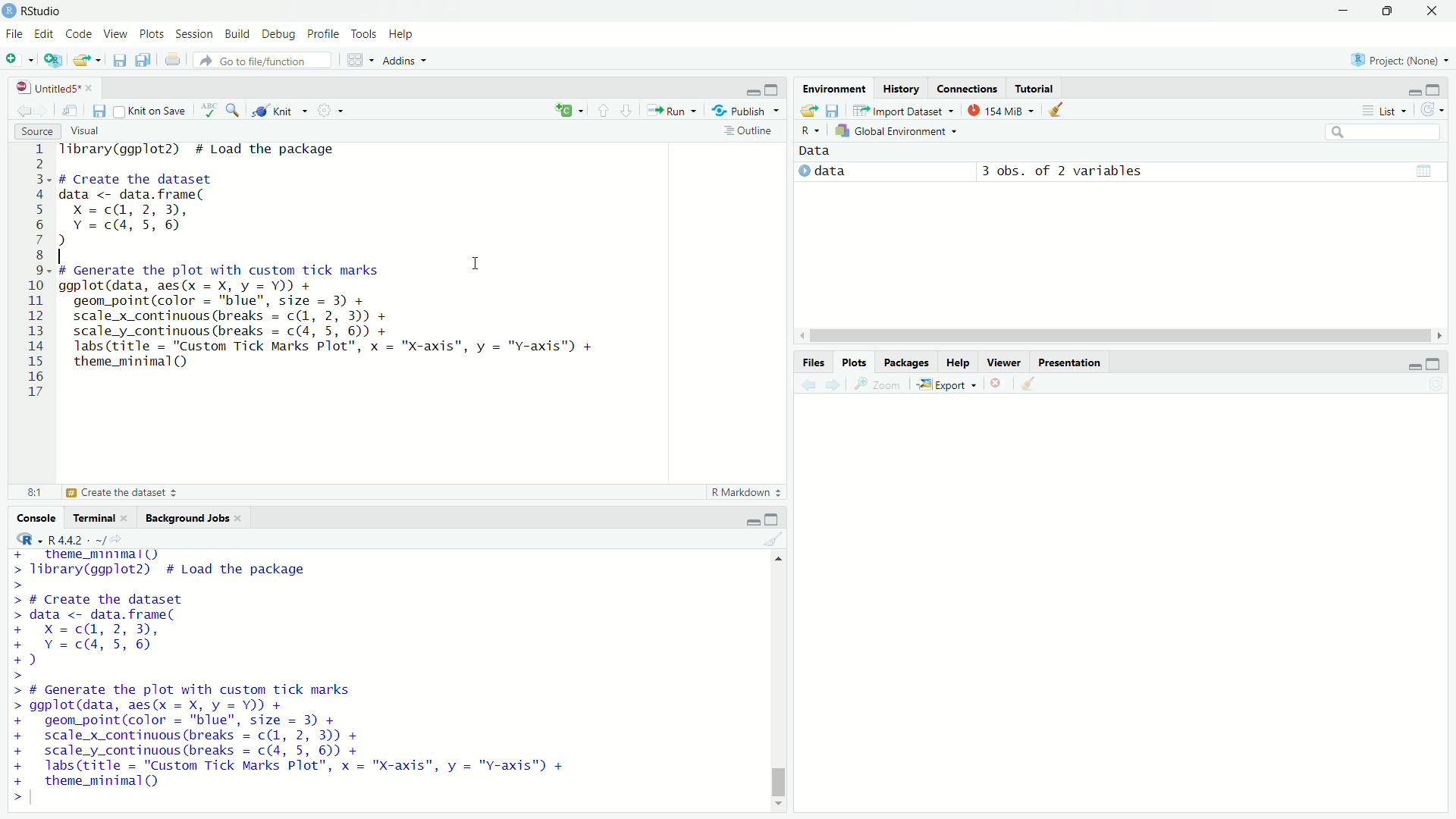  What do you see at coordinates (152, 36) in the screenshot?
I see `plots` at bounding box center [152, 36].